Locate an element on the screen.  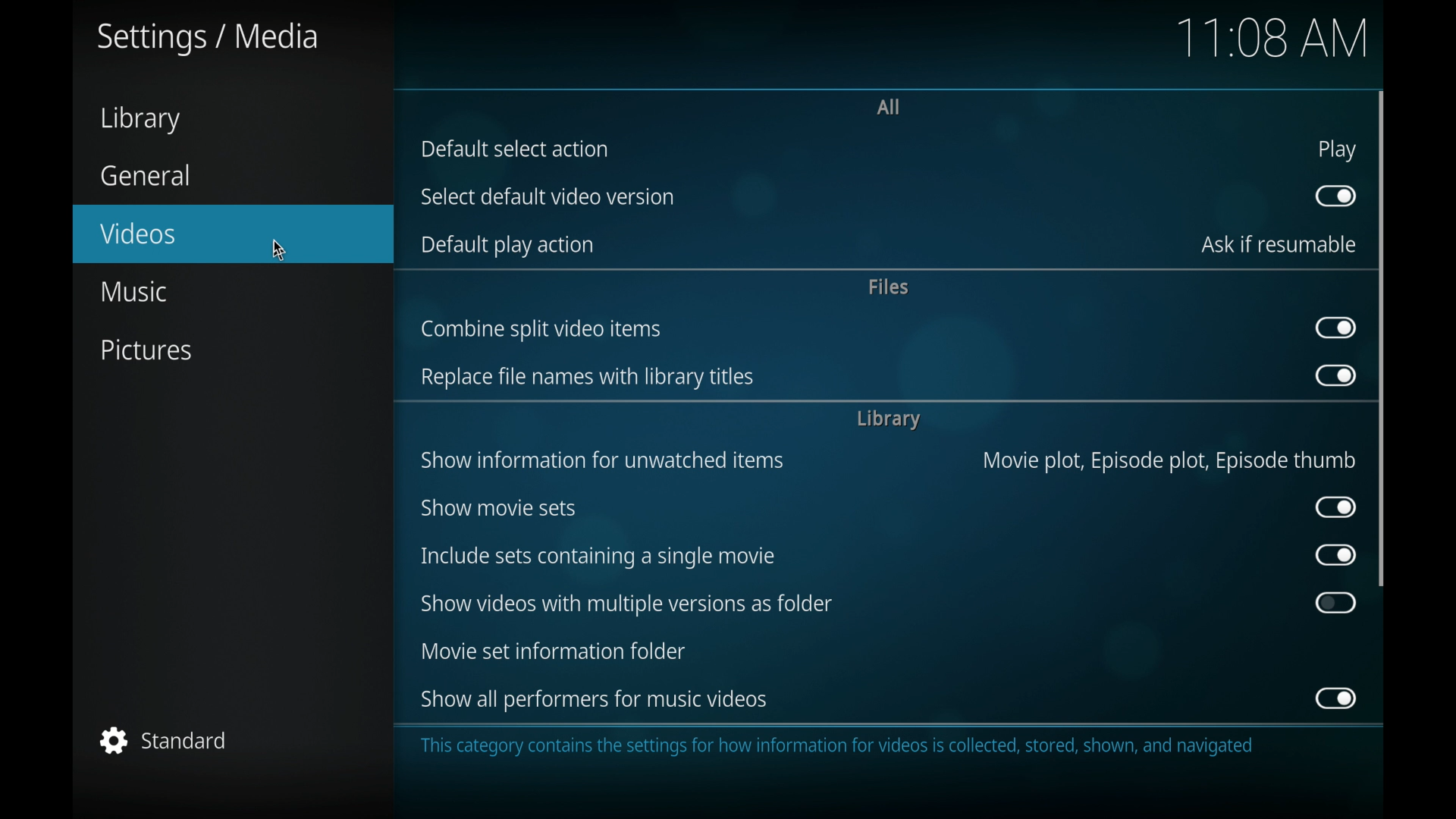
play is located at coordinates (1338, 152).